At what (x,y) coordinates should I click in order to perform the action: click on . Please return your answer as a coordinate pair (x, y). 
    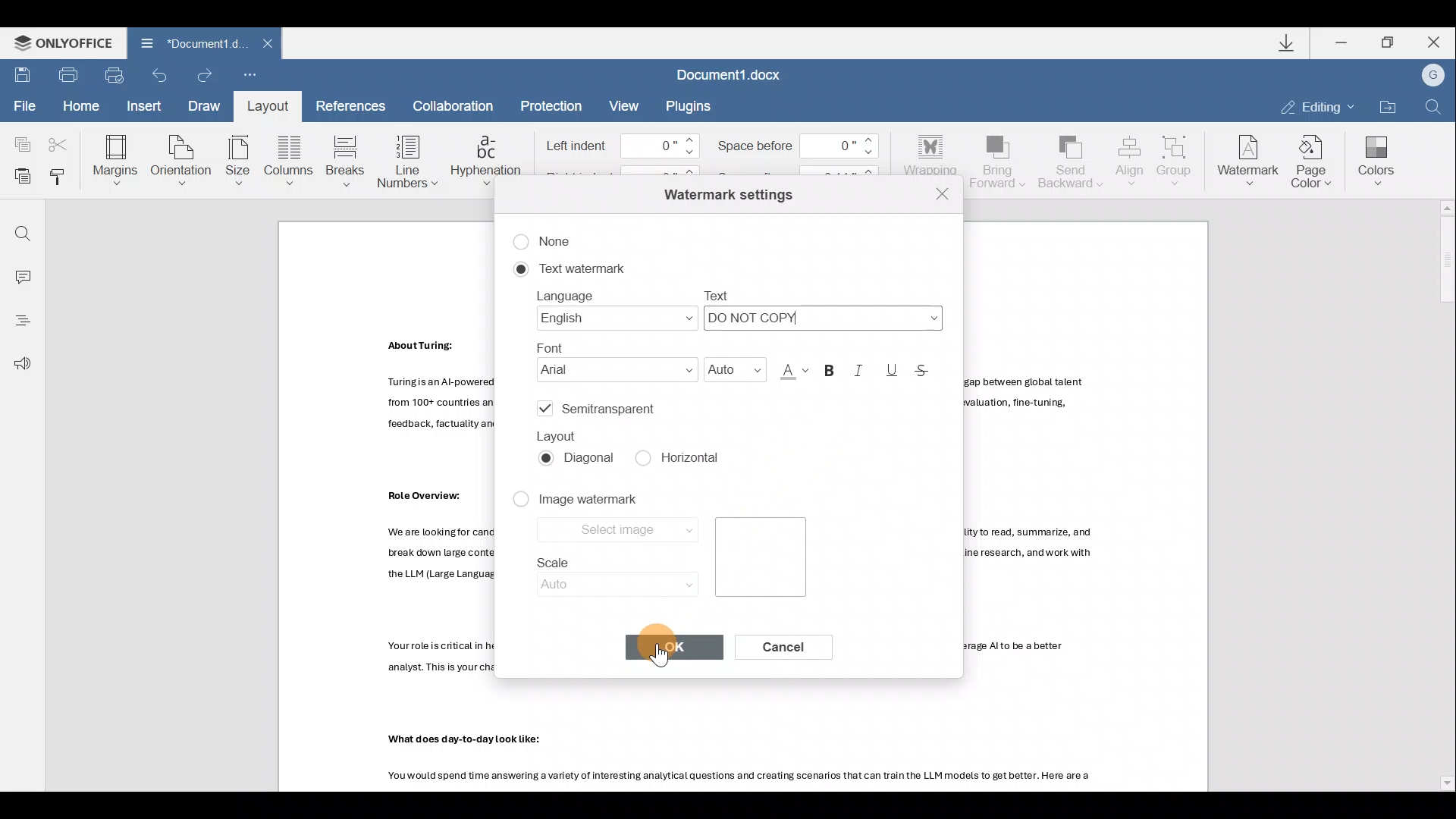
    Looking at the image, I should click on (424, 347).